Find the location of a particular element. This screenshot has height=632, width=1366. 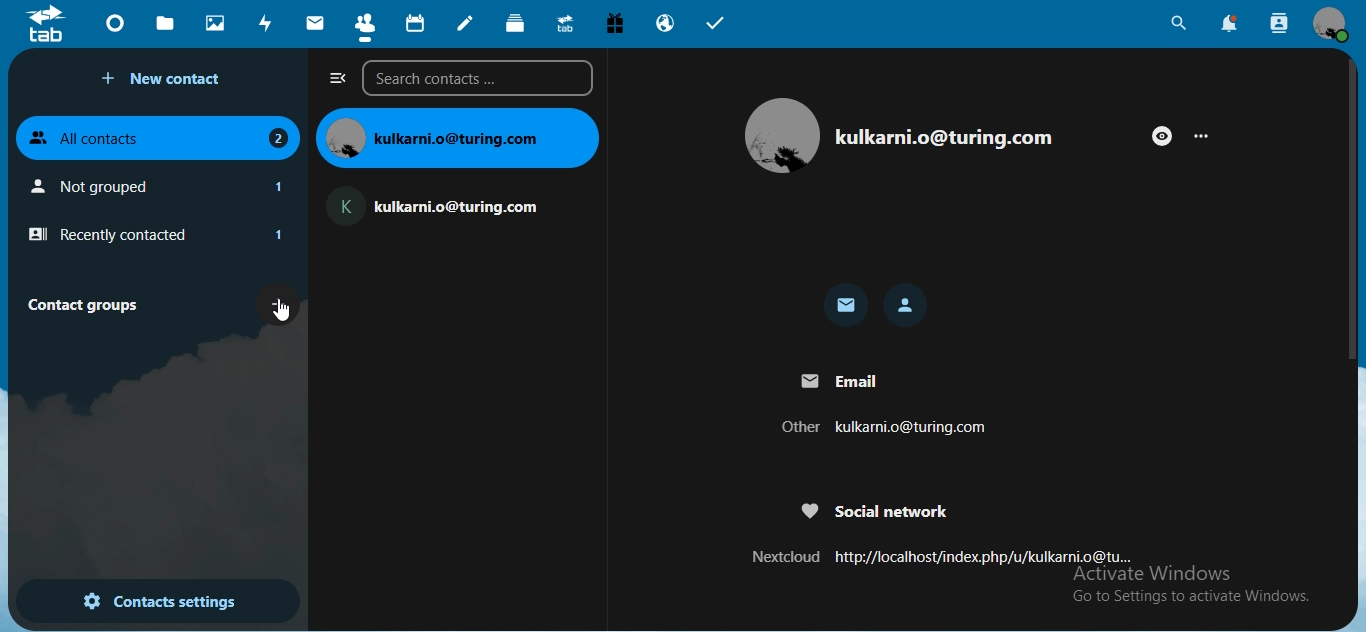

contact settings is located at coordinates (159, 603).